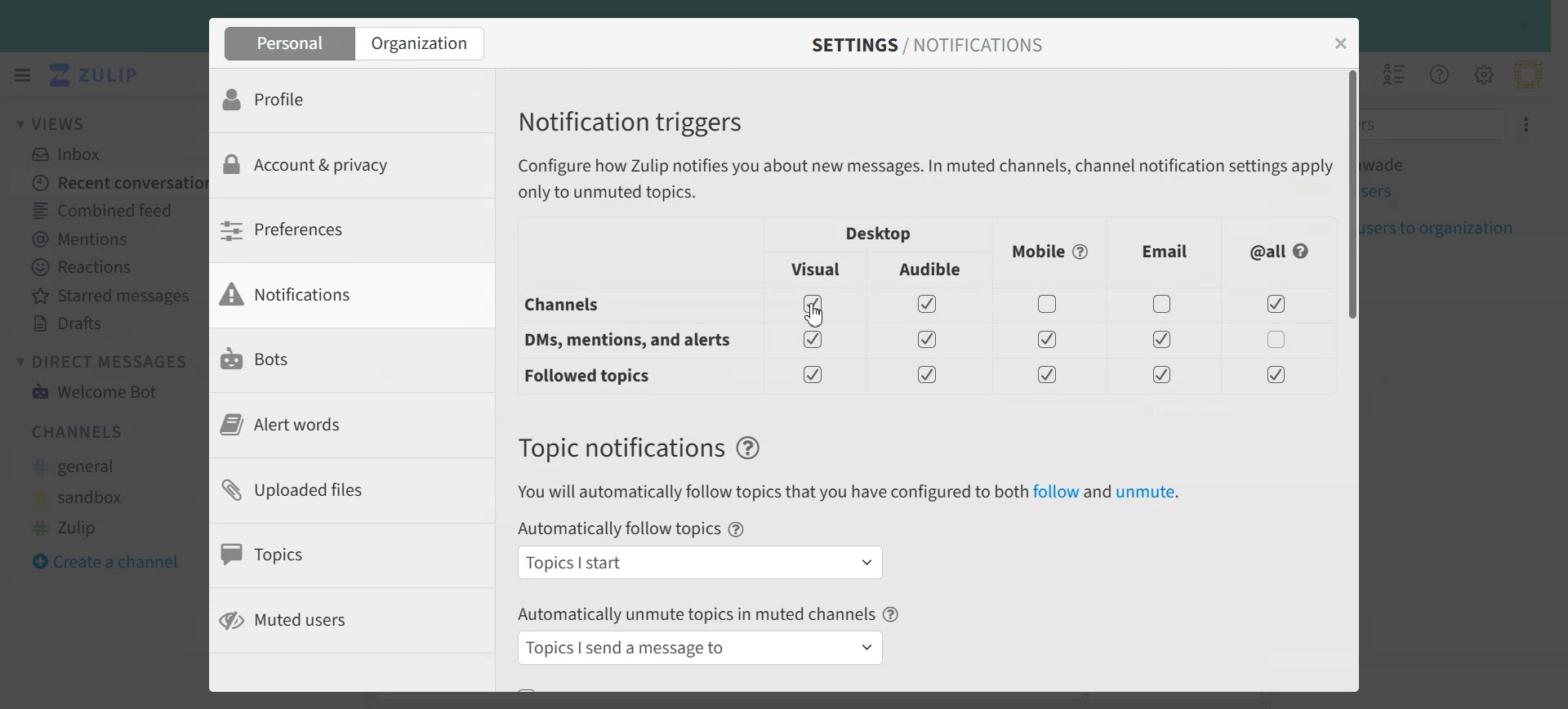 The image size is (1568, 709). Describe the element at coordinates (84, 497) in the screenshot. I see `#sandbox` at that location.